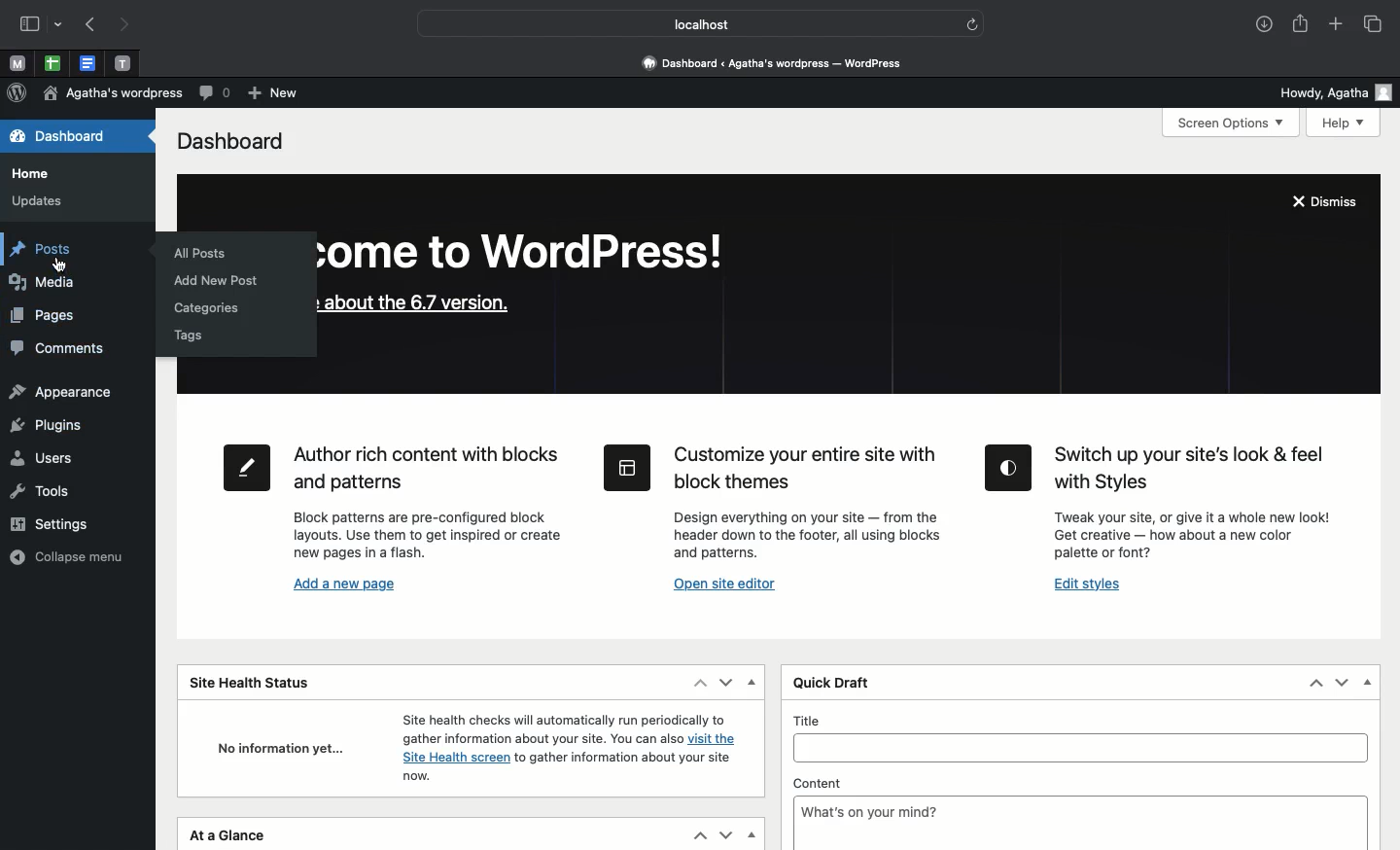  Describe the element at coordinates (1317, 683) in the screenshot. I see `Up` at that location.